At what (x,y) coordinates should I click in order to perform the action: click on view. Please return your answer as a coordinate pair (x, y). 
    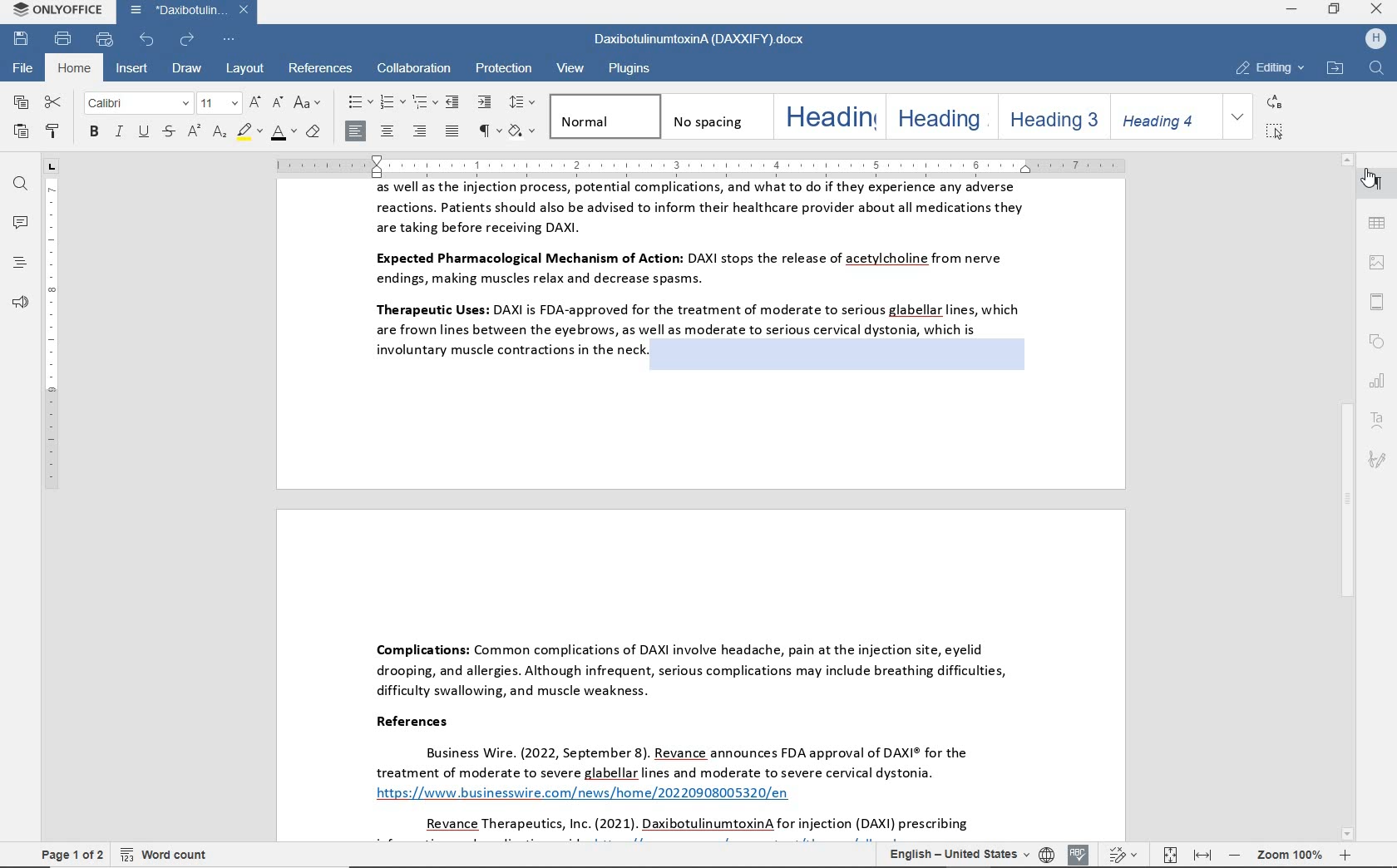
    Looking at the image, I should click on (572, 70).